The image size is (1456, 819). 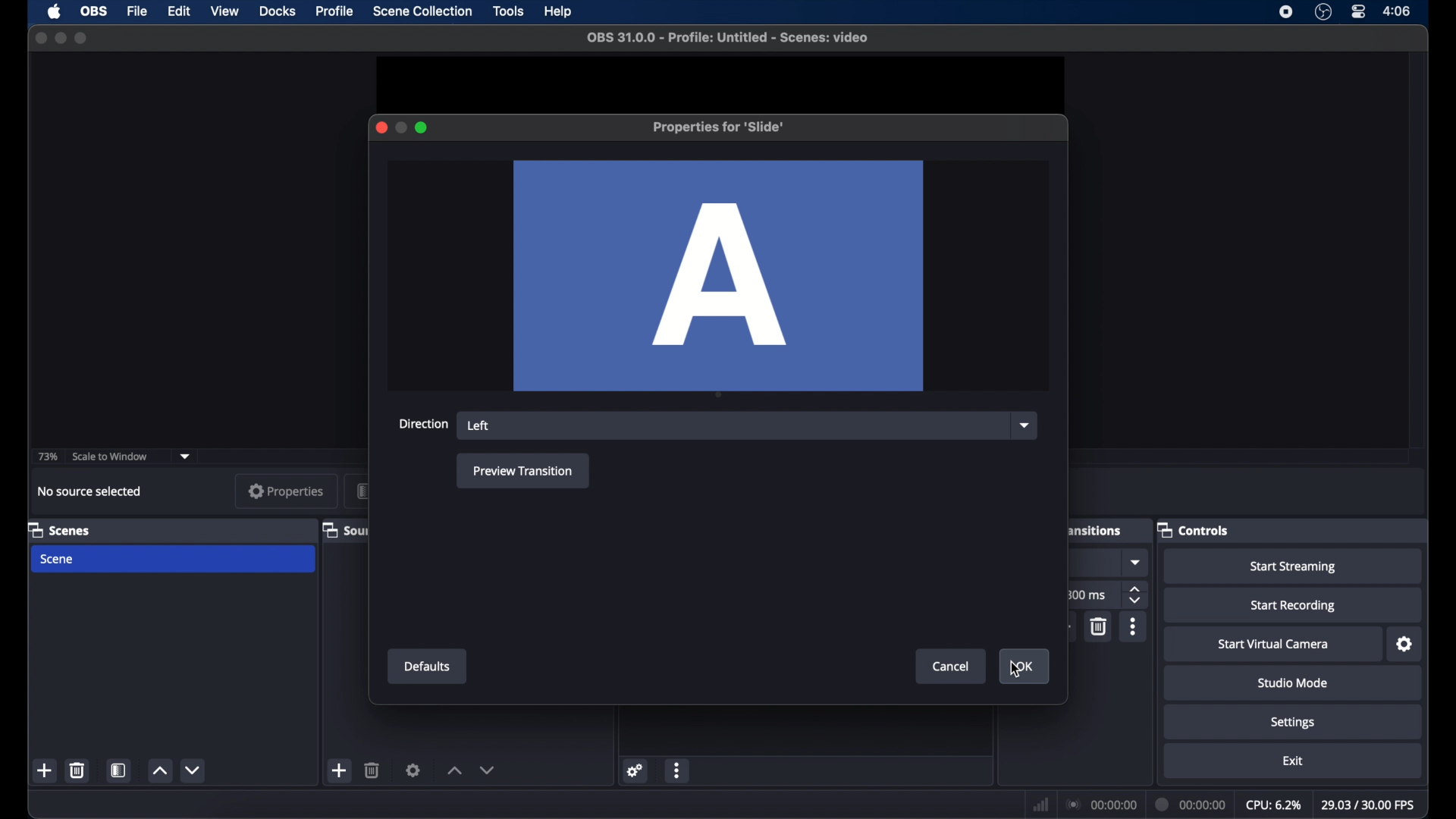 What do you see at coordinates (336, 11) in the screenshot?
I see `profile` at bounding box center [336, 11].